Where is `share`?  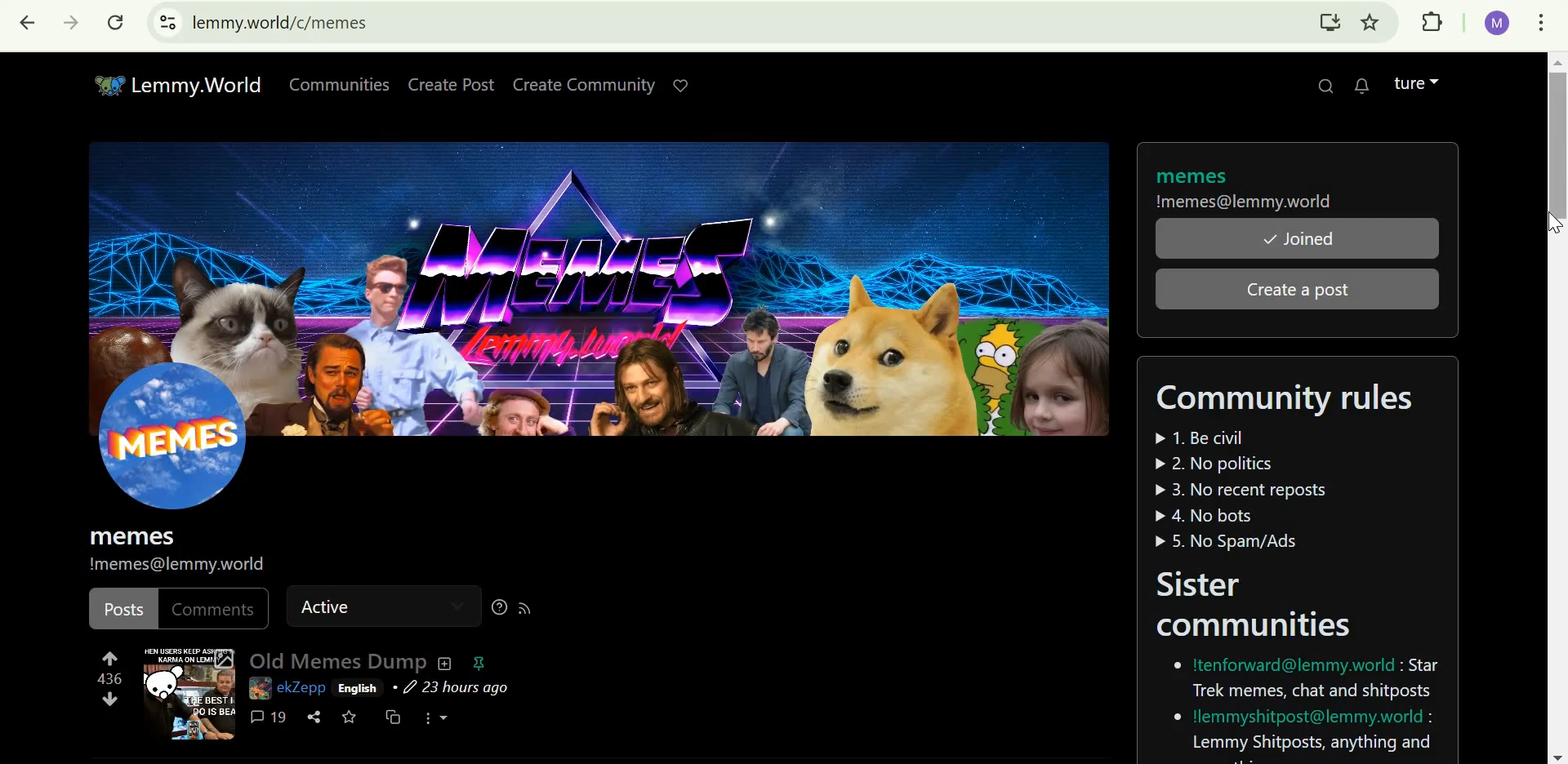
share is located at coordinates (313, 716).